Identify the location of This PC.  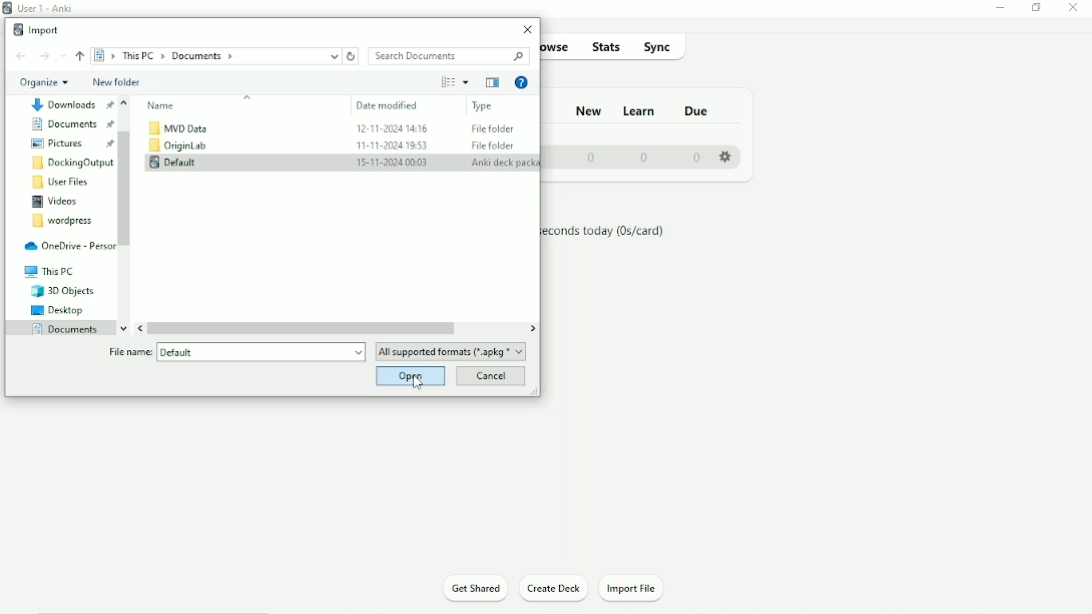
(49, 272).